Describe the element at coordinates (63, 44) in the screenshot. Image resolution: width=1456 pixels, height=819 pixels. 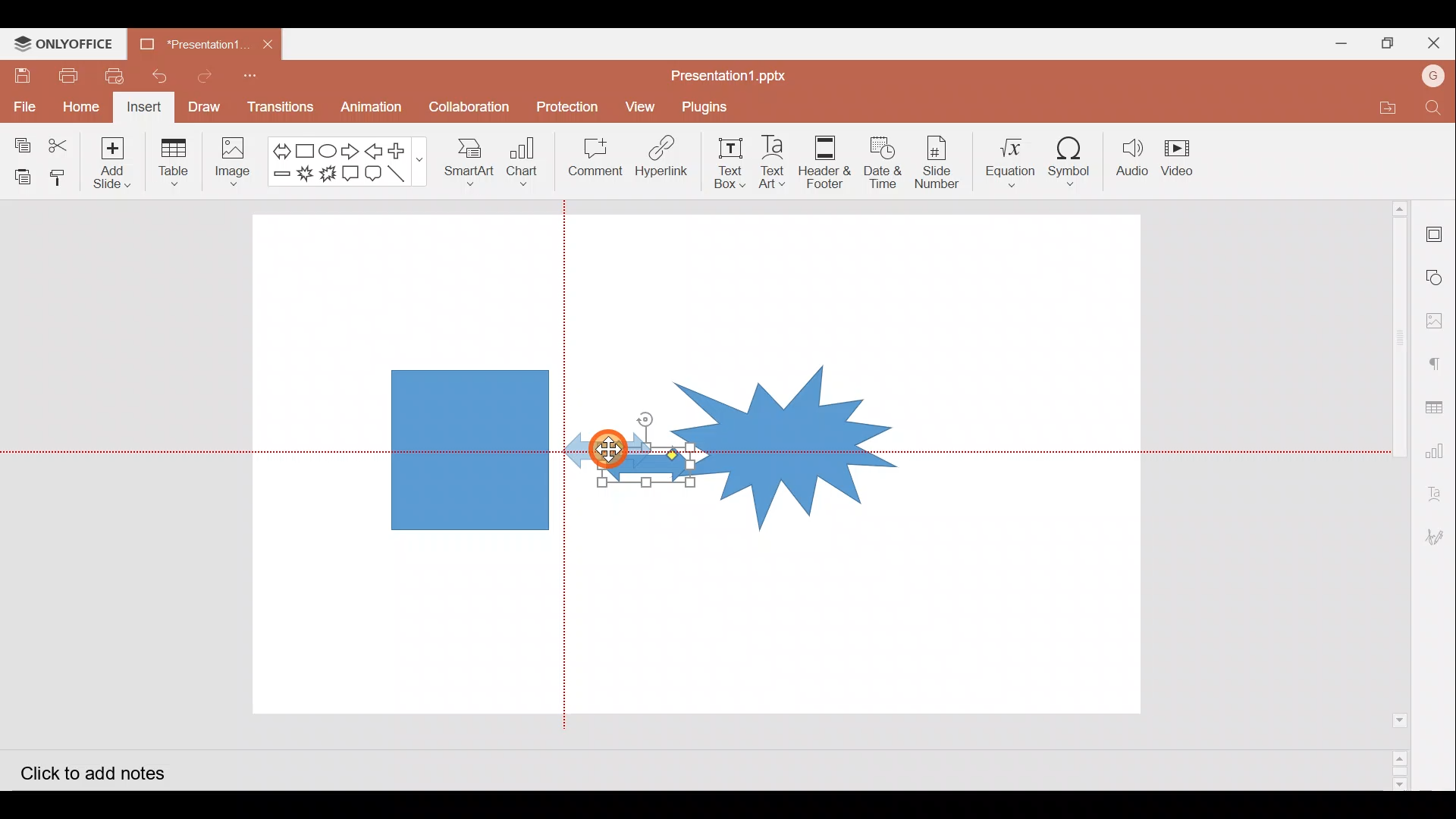
I see `ONLYOFFICE` at that location.